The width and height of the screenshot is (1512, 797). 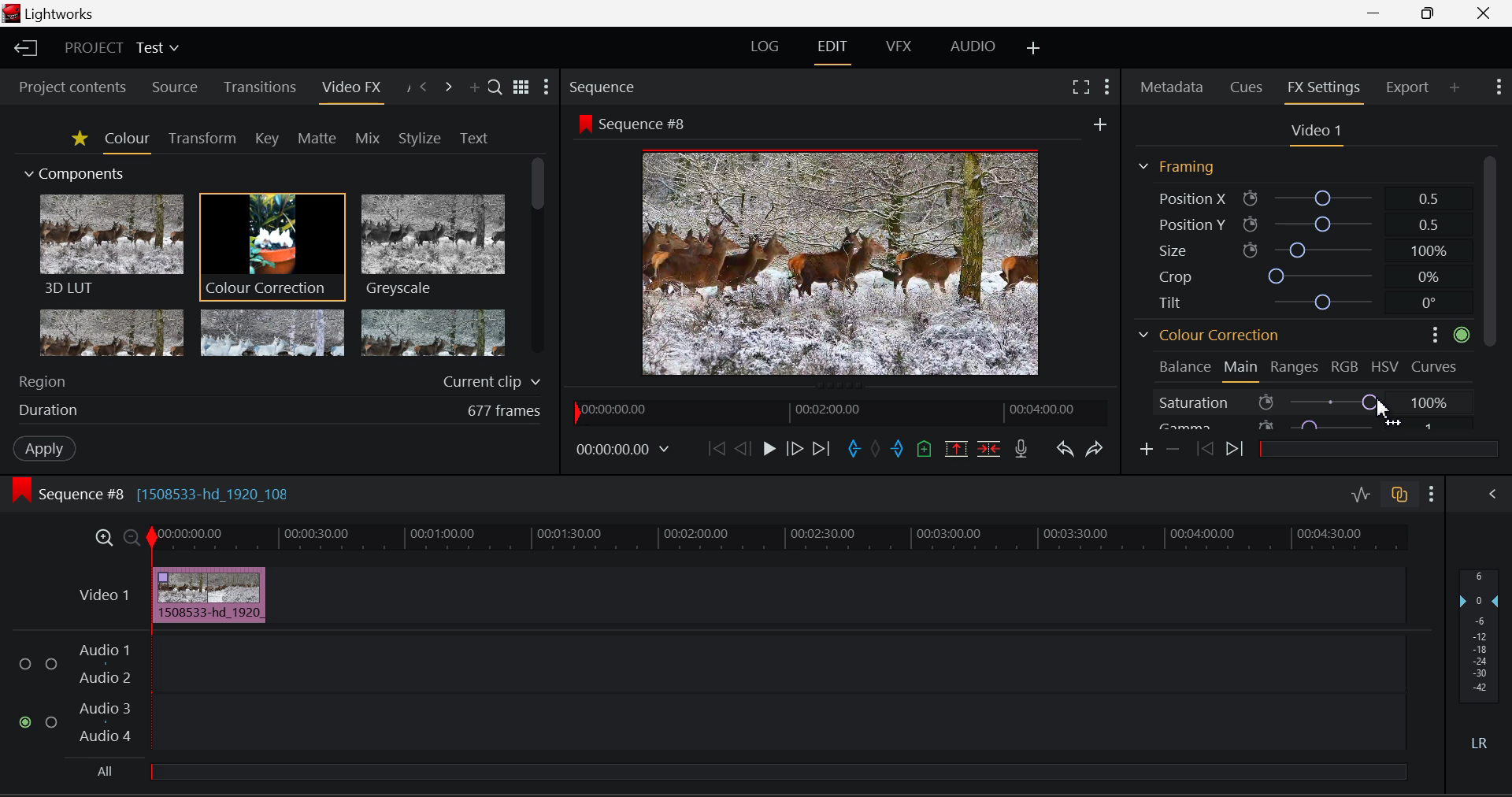 I want to click on Gamma, so click(x=1298, y=424).